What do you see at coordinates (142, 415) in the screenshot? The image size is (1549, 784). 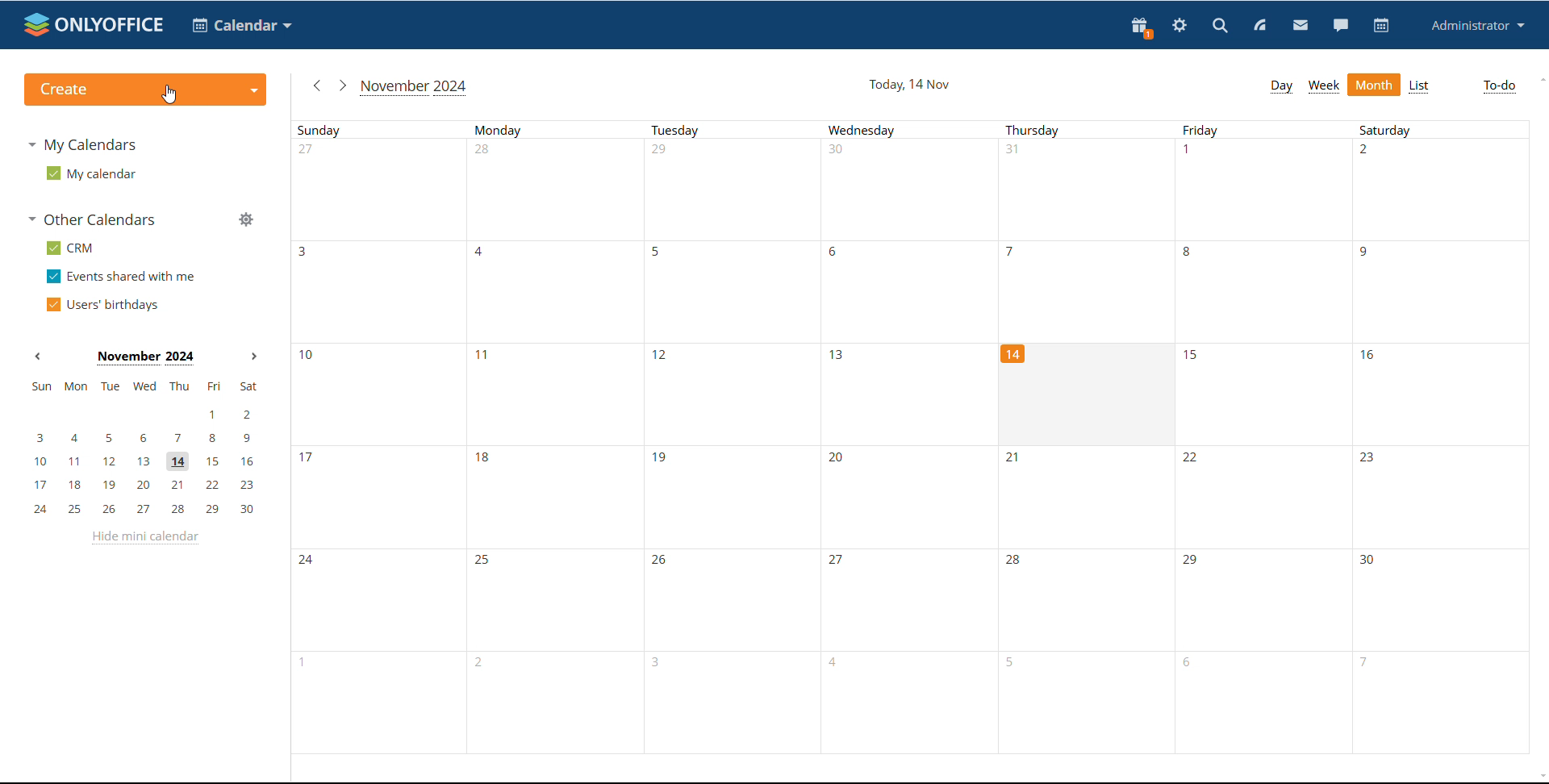 I see `1, 2` at bounding box center [142, 415].